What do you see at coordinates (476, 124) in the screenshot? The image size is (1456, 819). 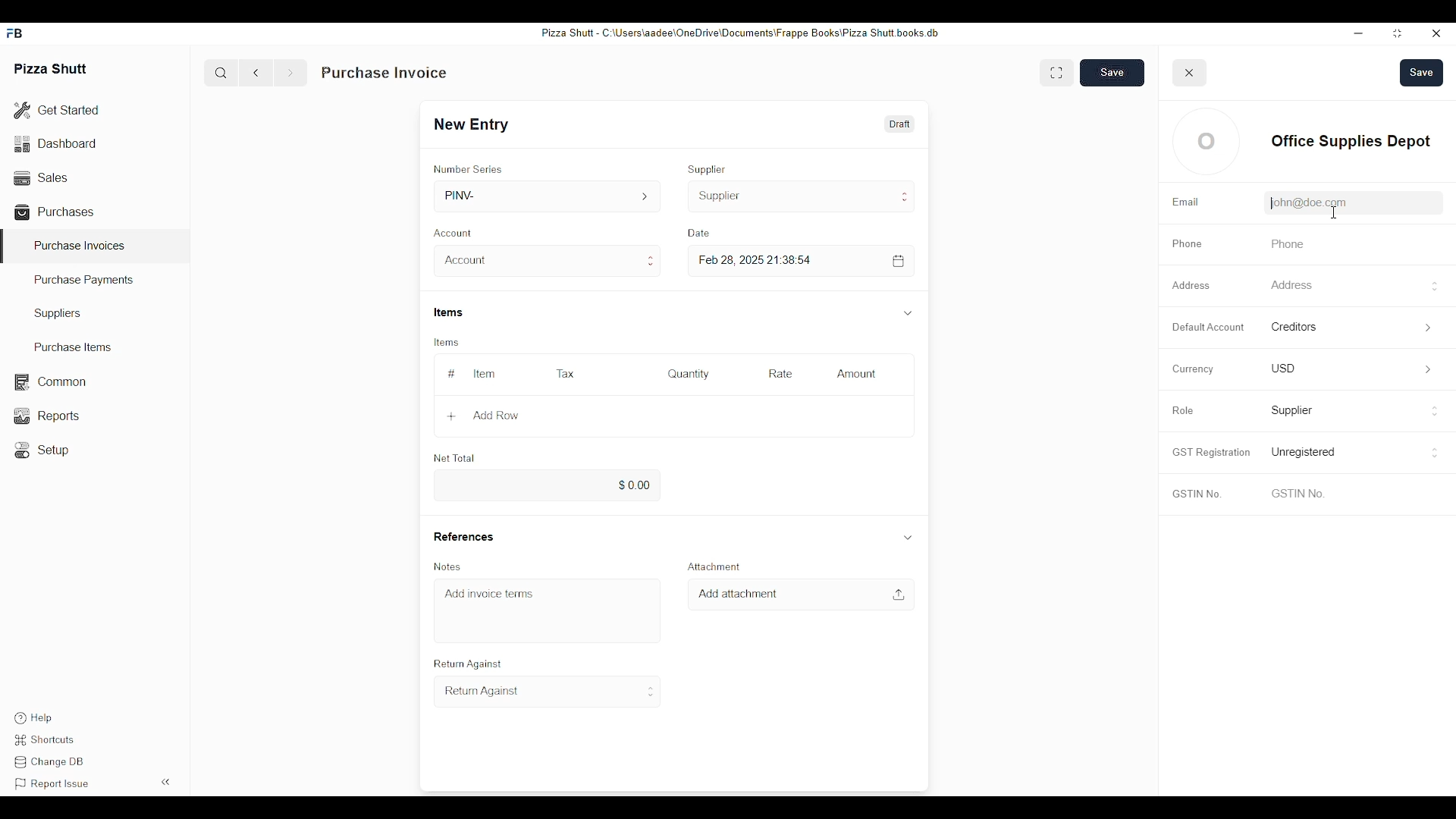 I see `New Entry` at bounding box center [476, 124].